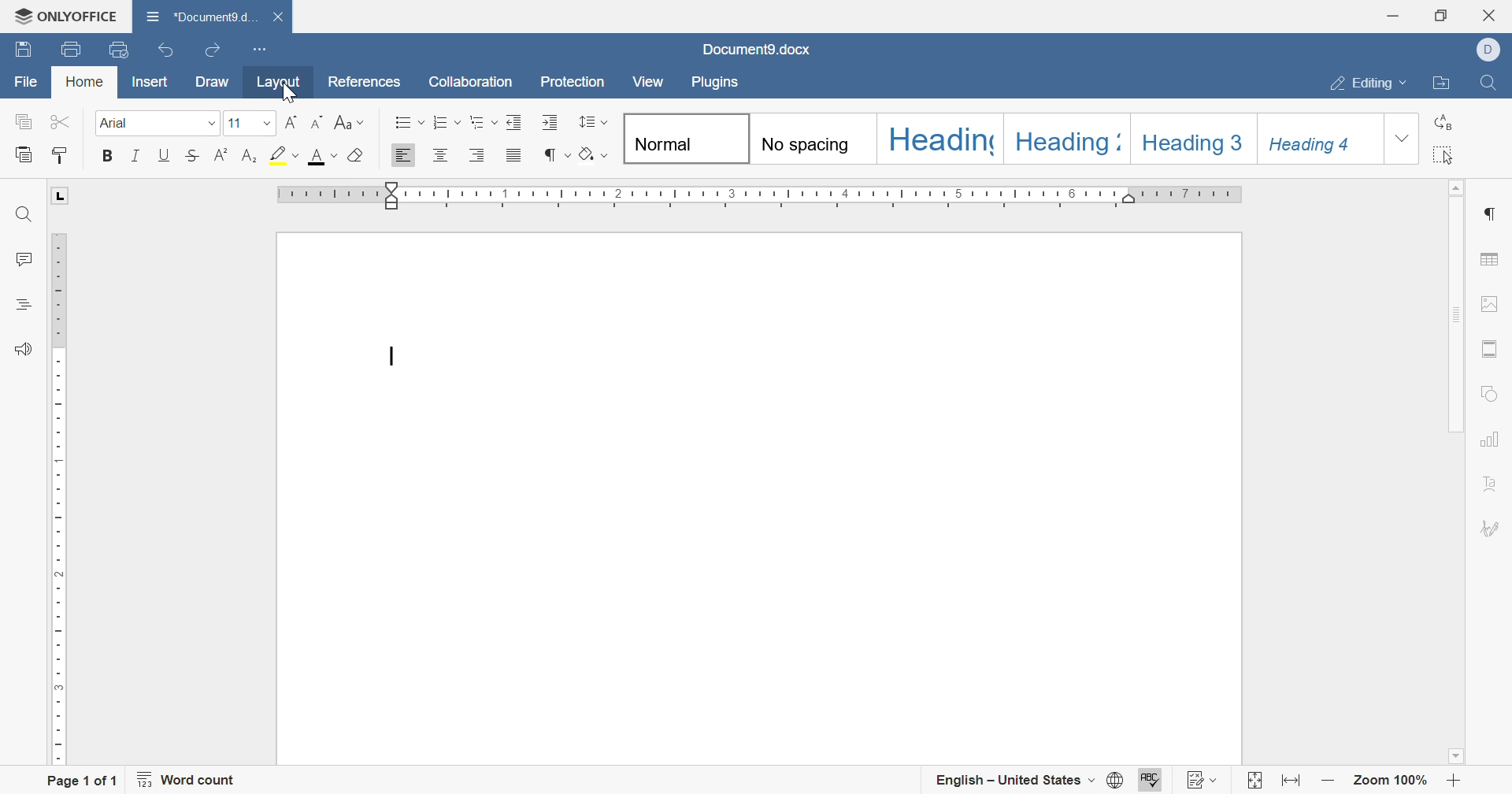 This screenshot has height=794, width=1512. I want to click on shape settings, so click(1491, 395).